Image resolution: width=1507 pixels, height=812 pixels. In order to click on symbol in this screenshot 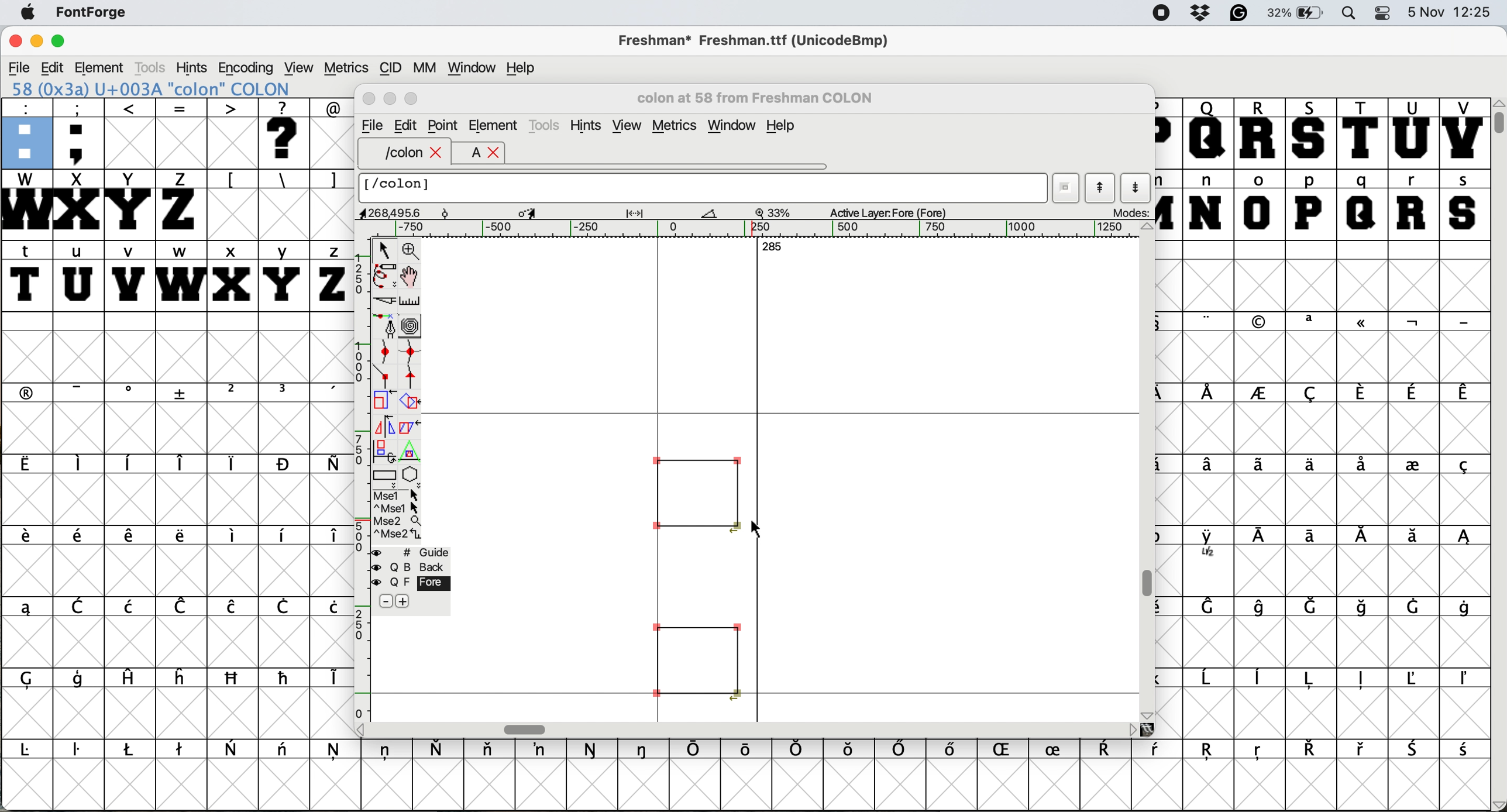, I will do `click(1210, 753)`.